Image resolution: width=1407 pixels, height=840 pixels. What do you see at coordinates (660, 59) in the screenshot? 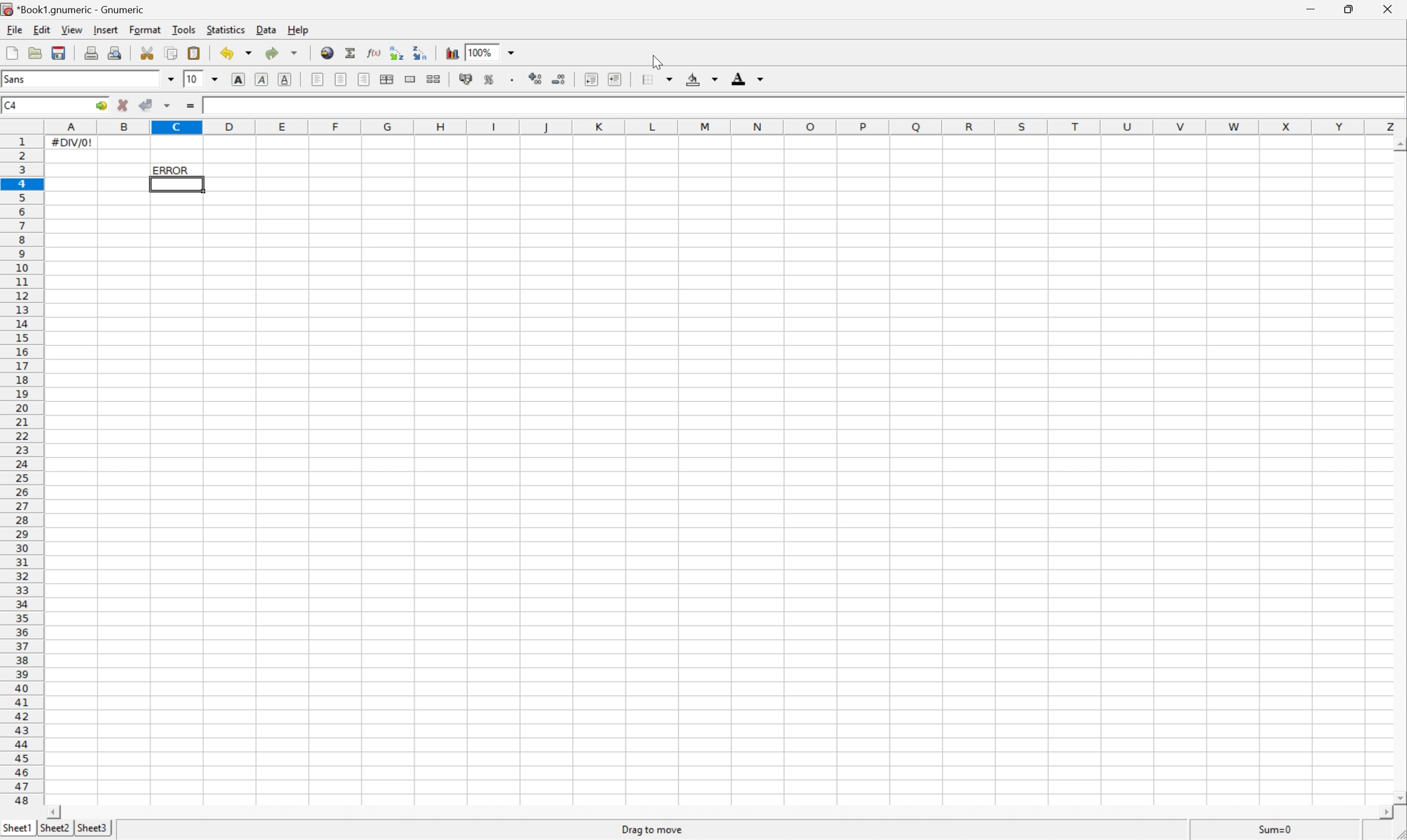
I see `cursor` at bounding box center [660, 59].